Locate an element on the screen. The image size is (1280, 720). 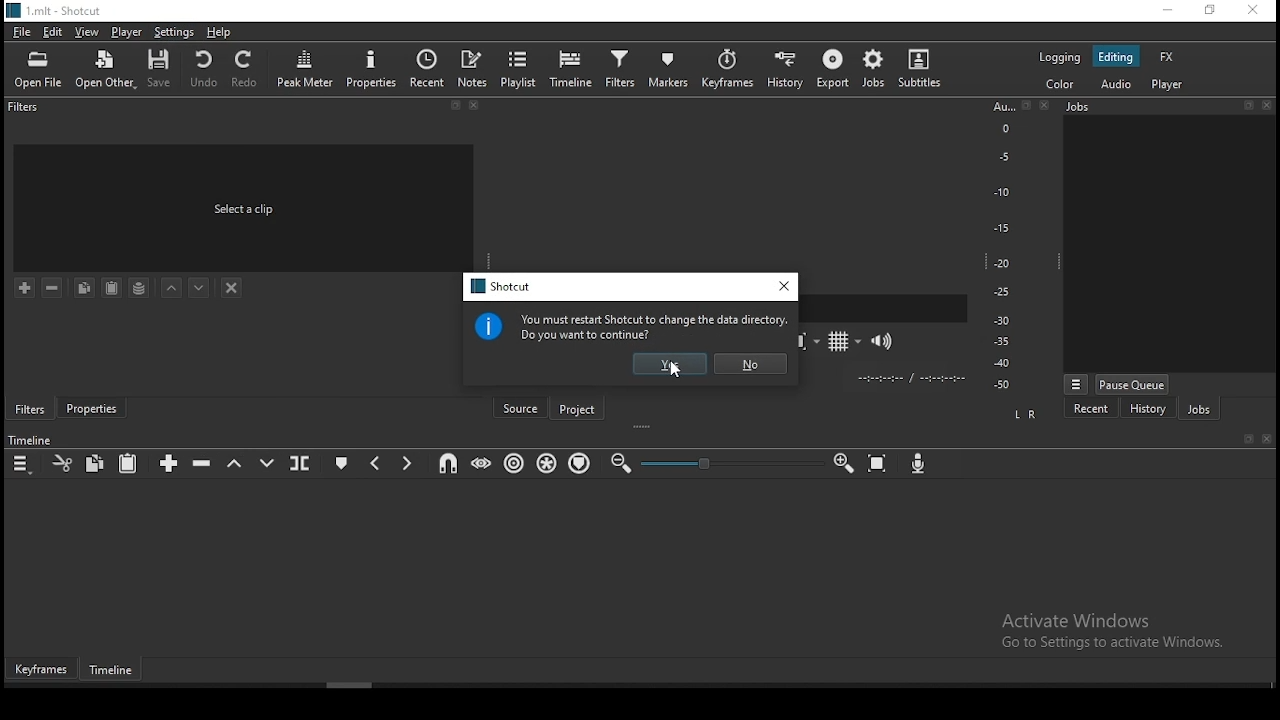
filters is located at coordinates (29, 408).